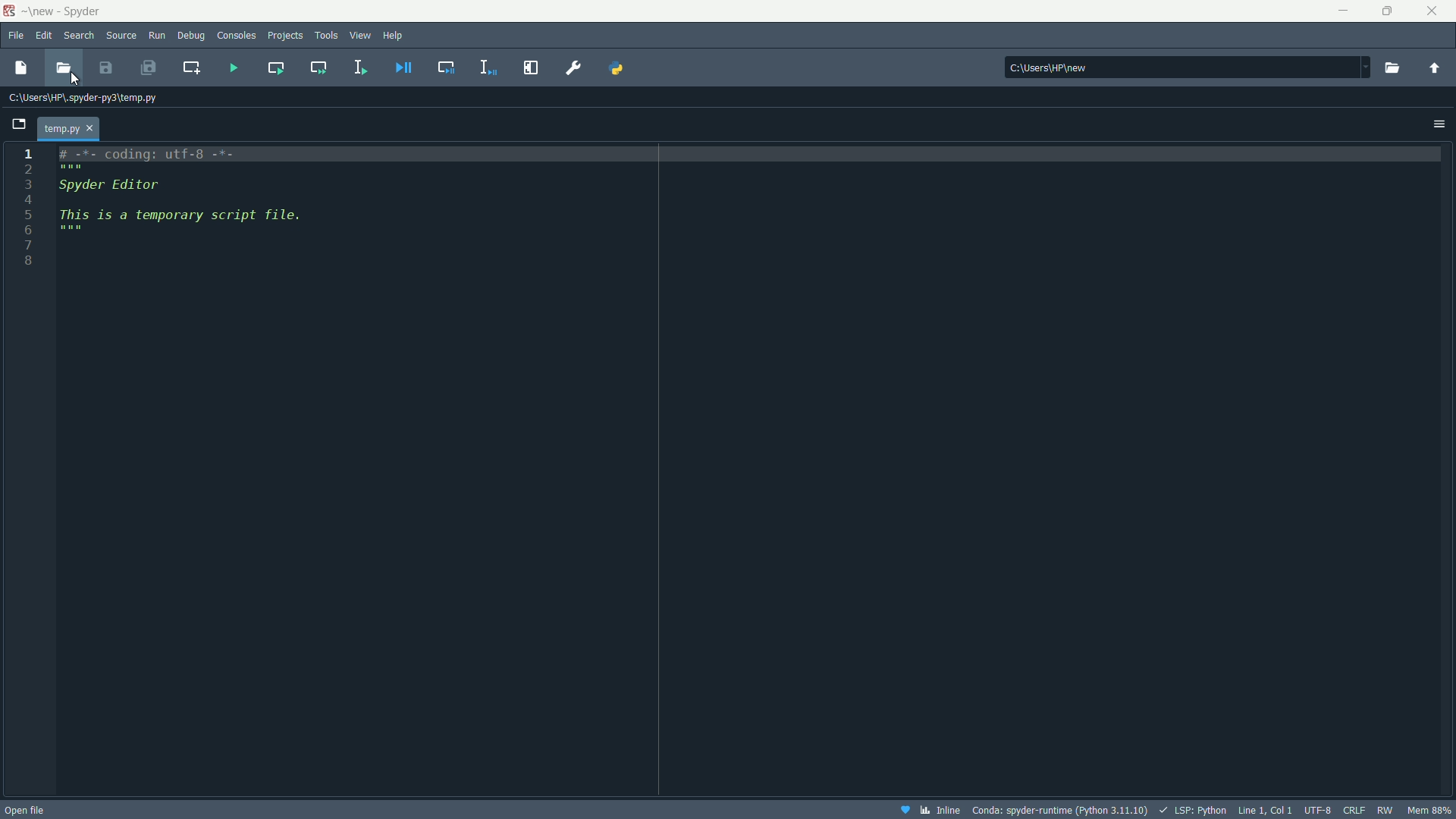 The width and height of the screenshot is (1456, 819). Describe the element at coordinates (105, 67) in the screenshot. I see `Save file` at that location.